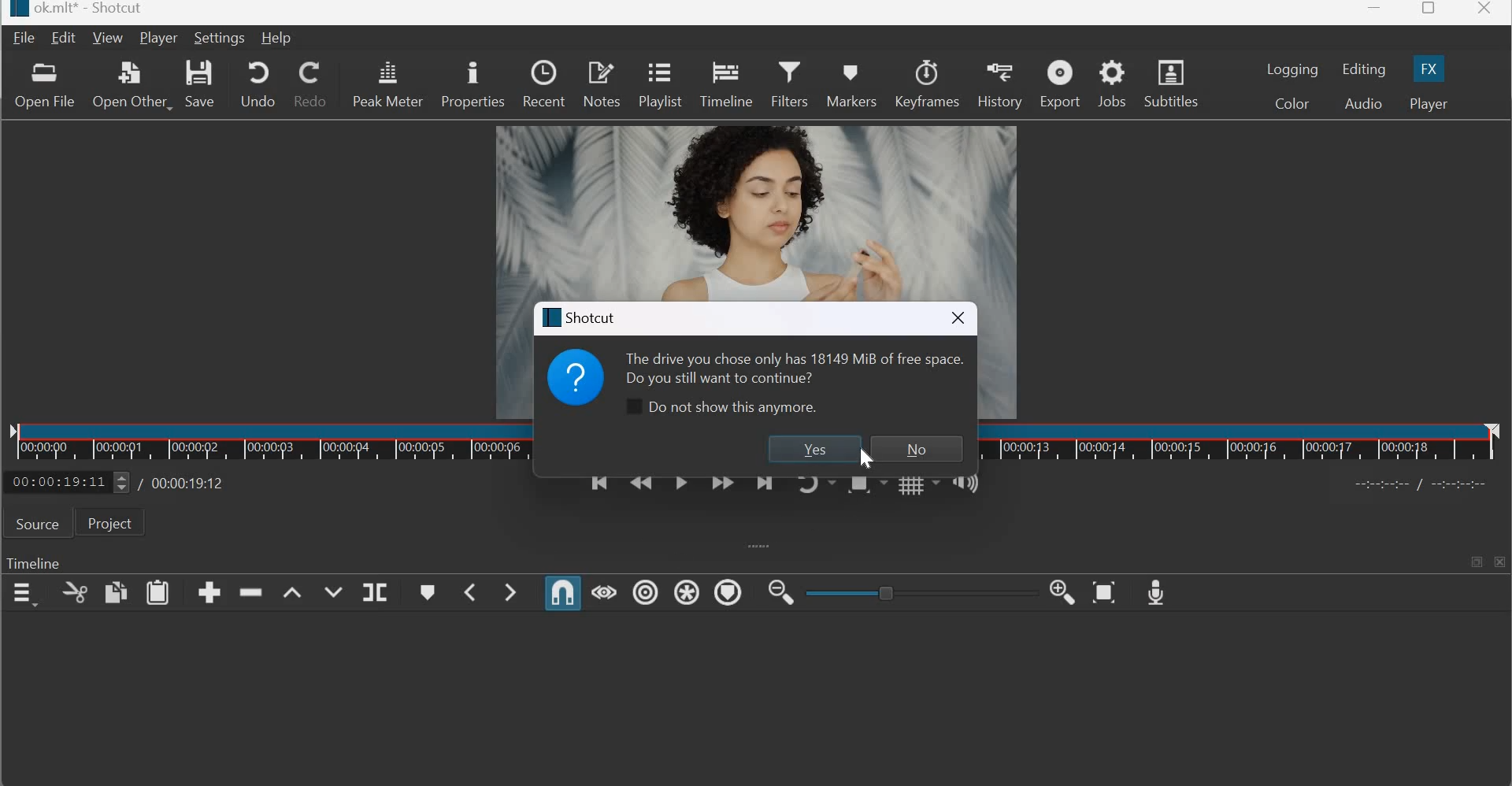 Image resolution: width=1512 pixels, height=786 pixels. What do you see at coordinates (1176, 82) in the screenshot?
I see `Subtitles` at bounding box center [1176, 82].